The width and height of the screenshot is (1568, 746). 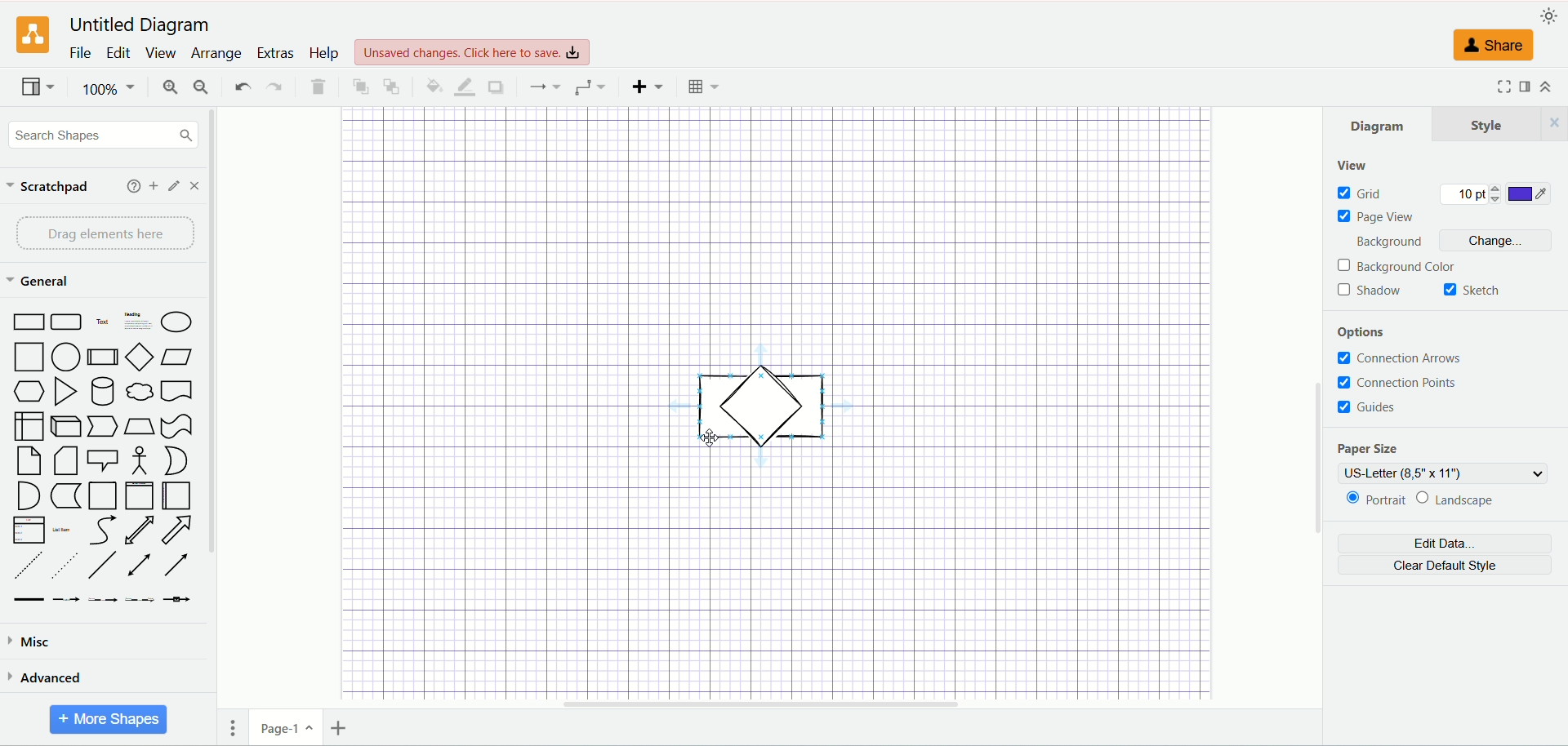 I want to click on link, so click(x=25, y=600).